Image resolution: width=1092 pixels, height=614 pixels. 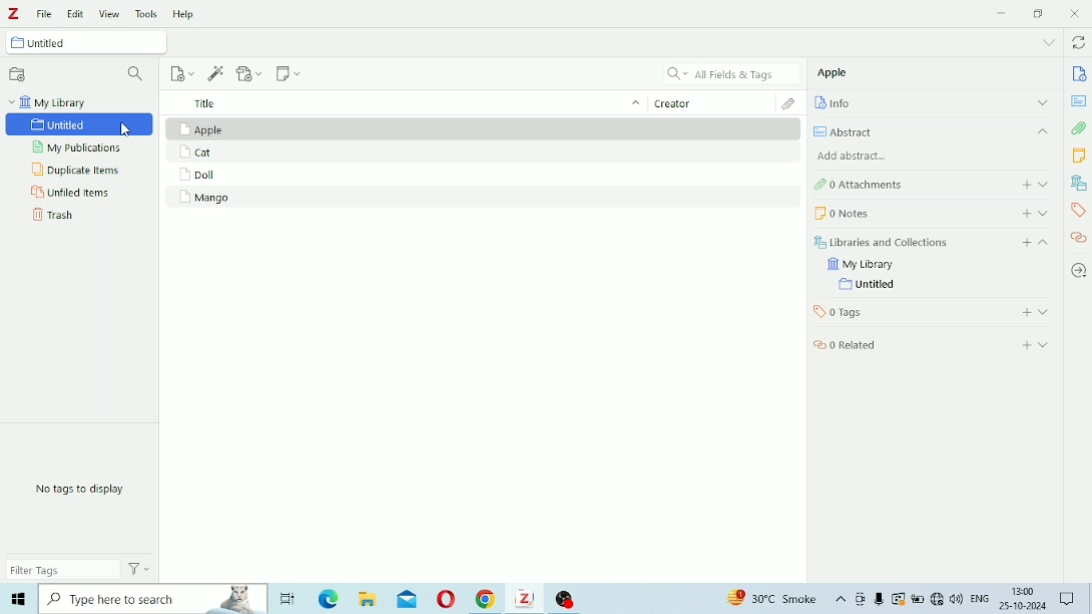 I want to click on Attachments, so click(x=858, y=186).